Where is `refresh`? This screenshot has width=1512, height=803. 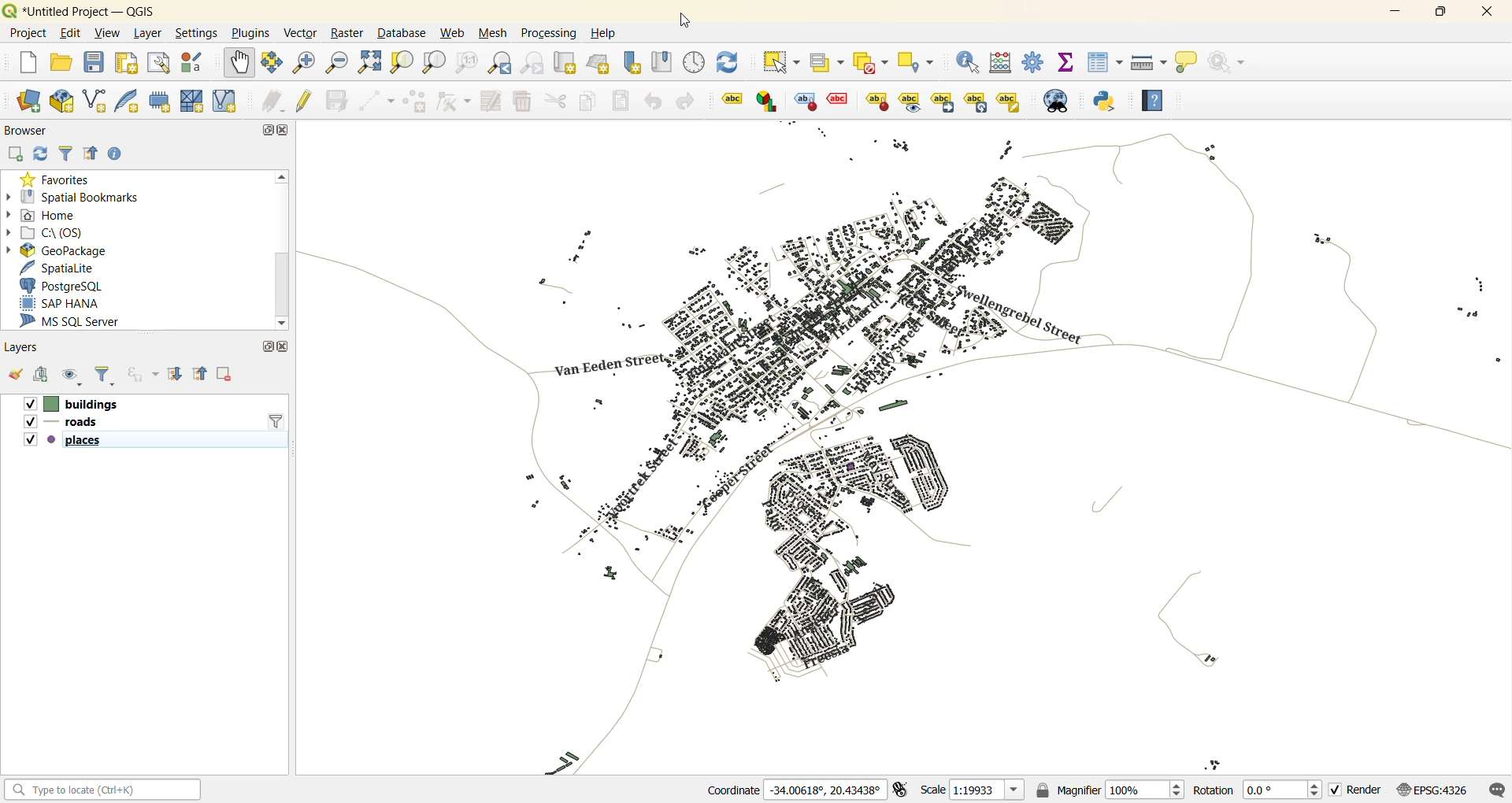
refresh is located at coordinates (731, 65).